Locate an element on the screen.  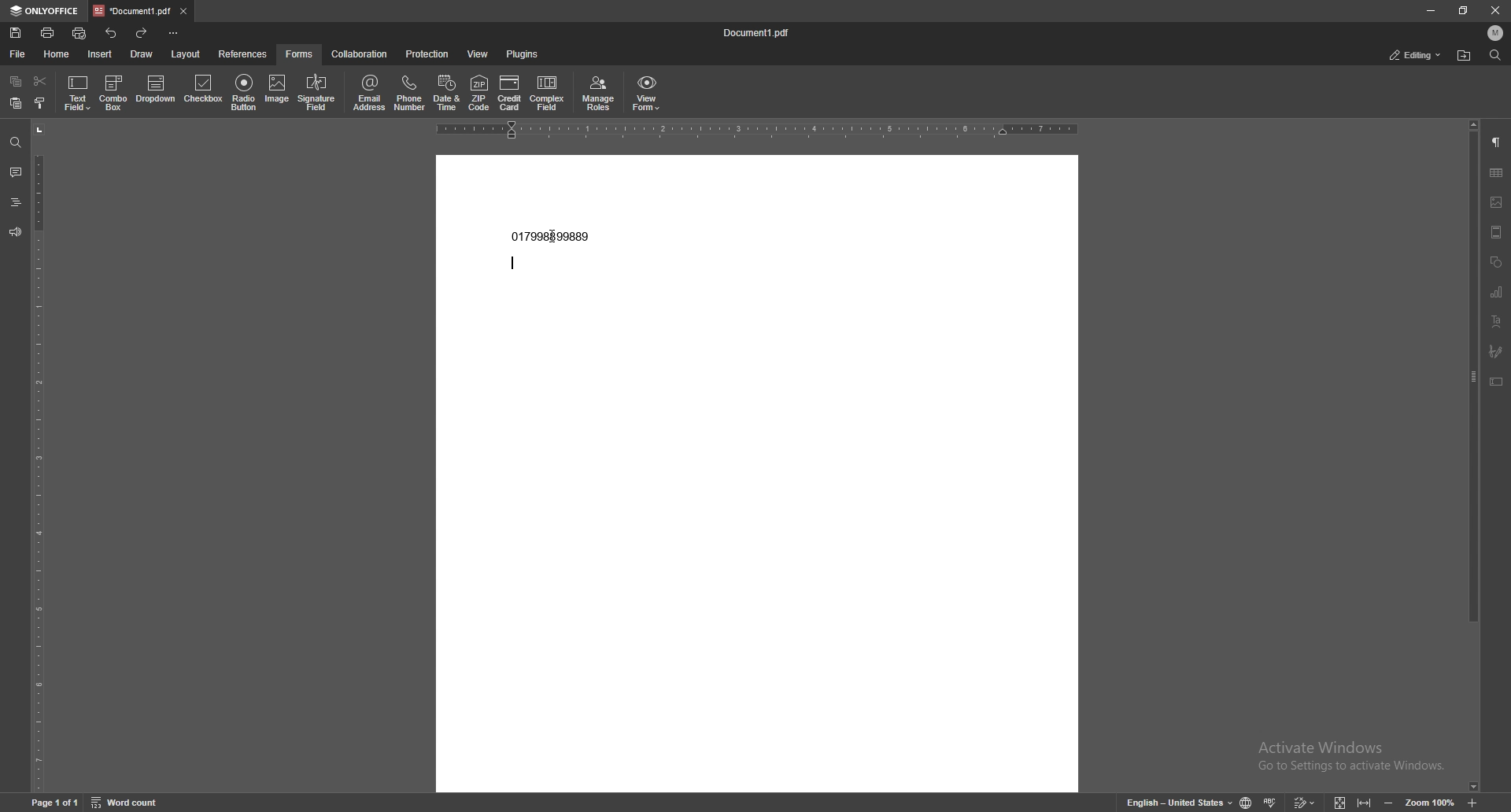
zoom is located at coordinates (1430, 803).